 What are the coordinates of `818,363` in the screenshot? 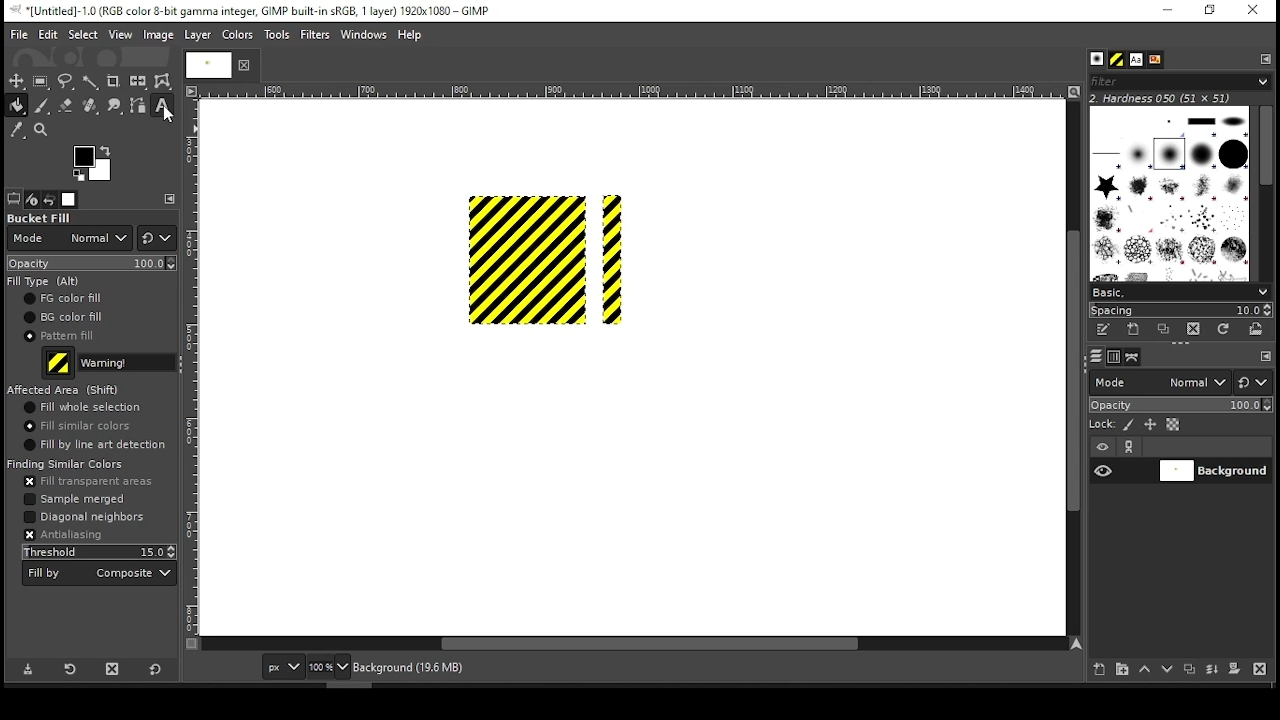 It's located at (221, 667).